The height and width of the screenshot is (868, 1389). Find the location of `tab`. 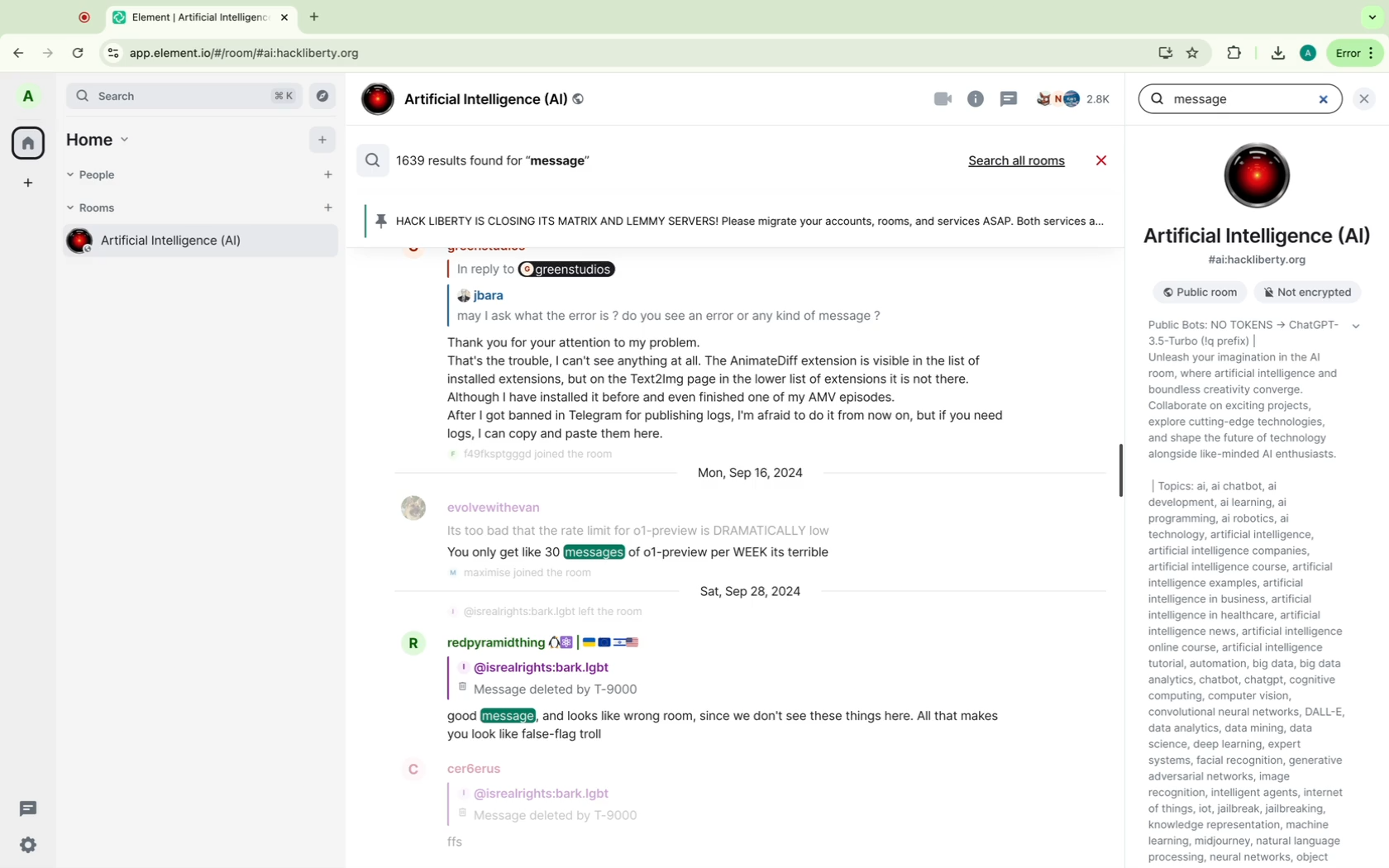

tab is located at coordinates (204, 16).